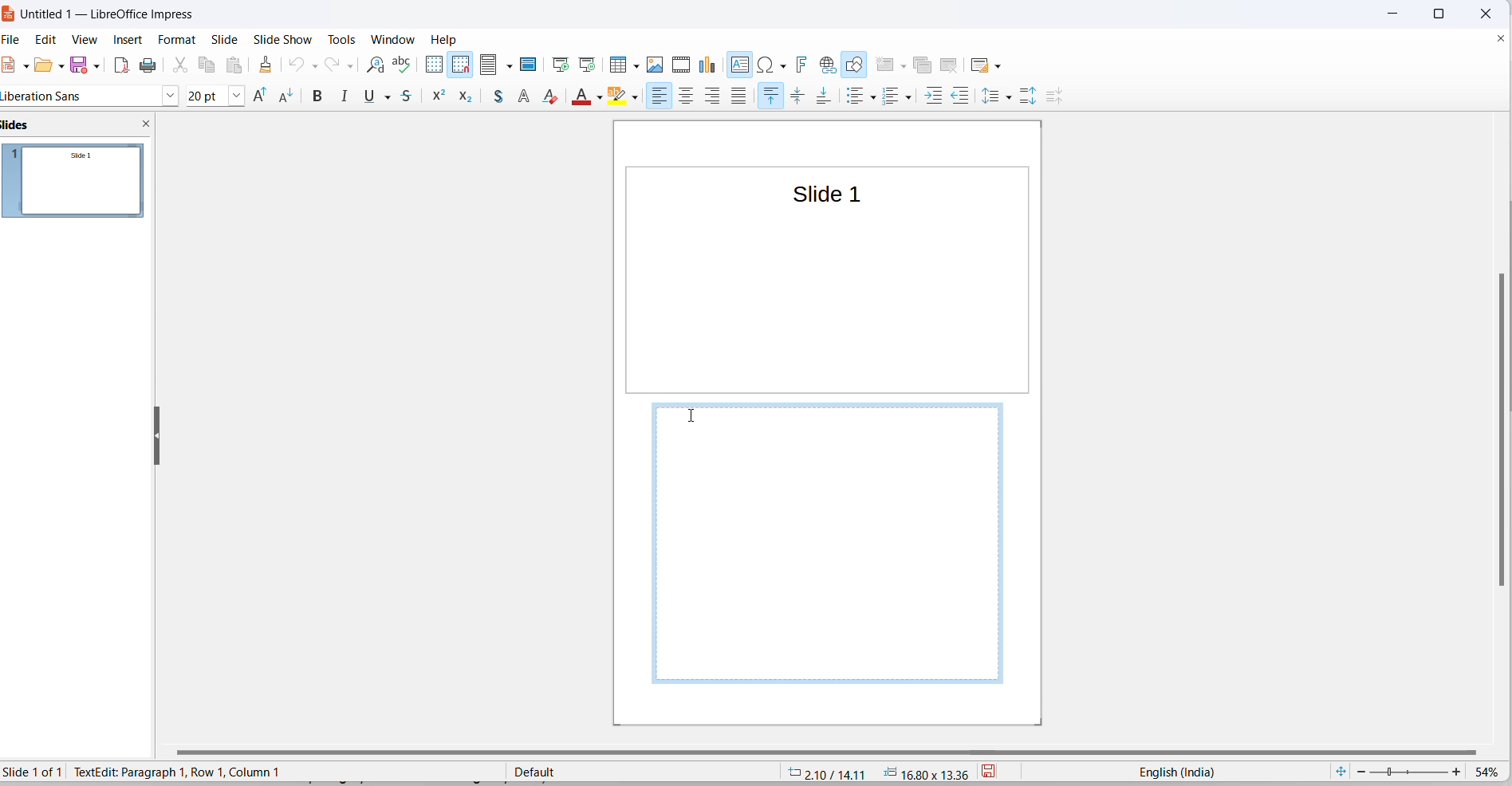  What do you see at coordinates (121, 68) in the screenshot?
I see `export as pdf` at bounding box center [121, 68].